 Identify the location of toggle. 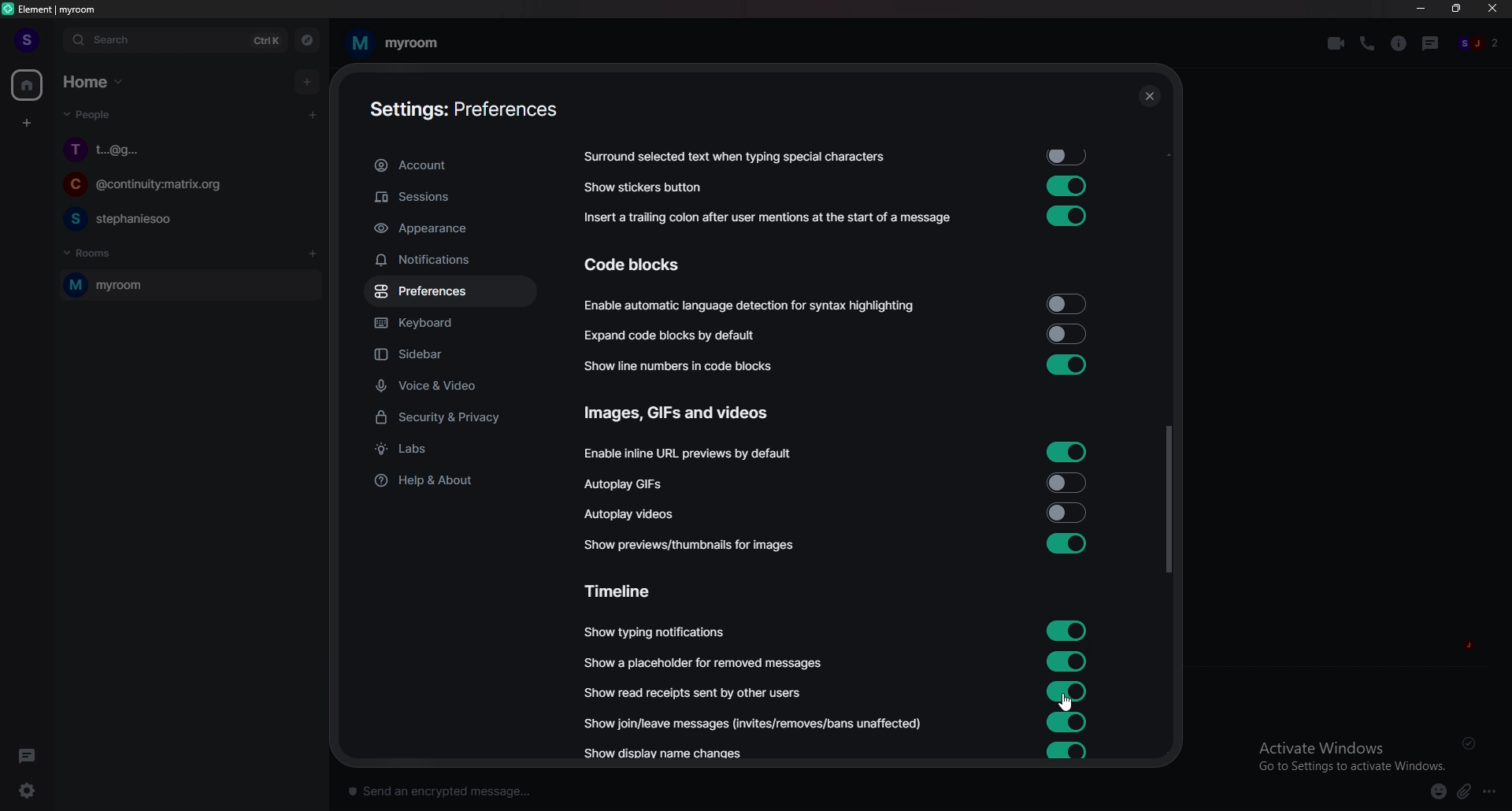
(1066, 364).